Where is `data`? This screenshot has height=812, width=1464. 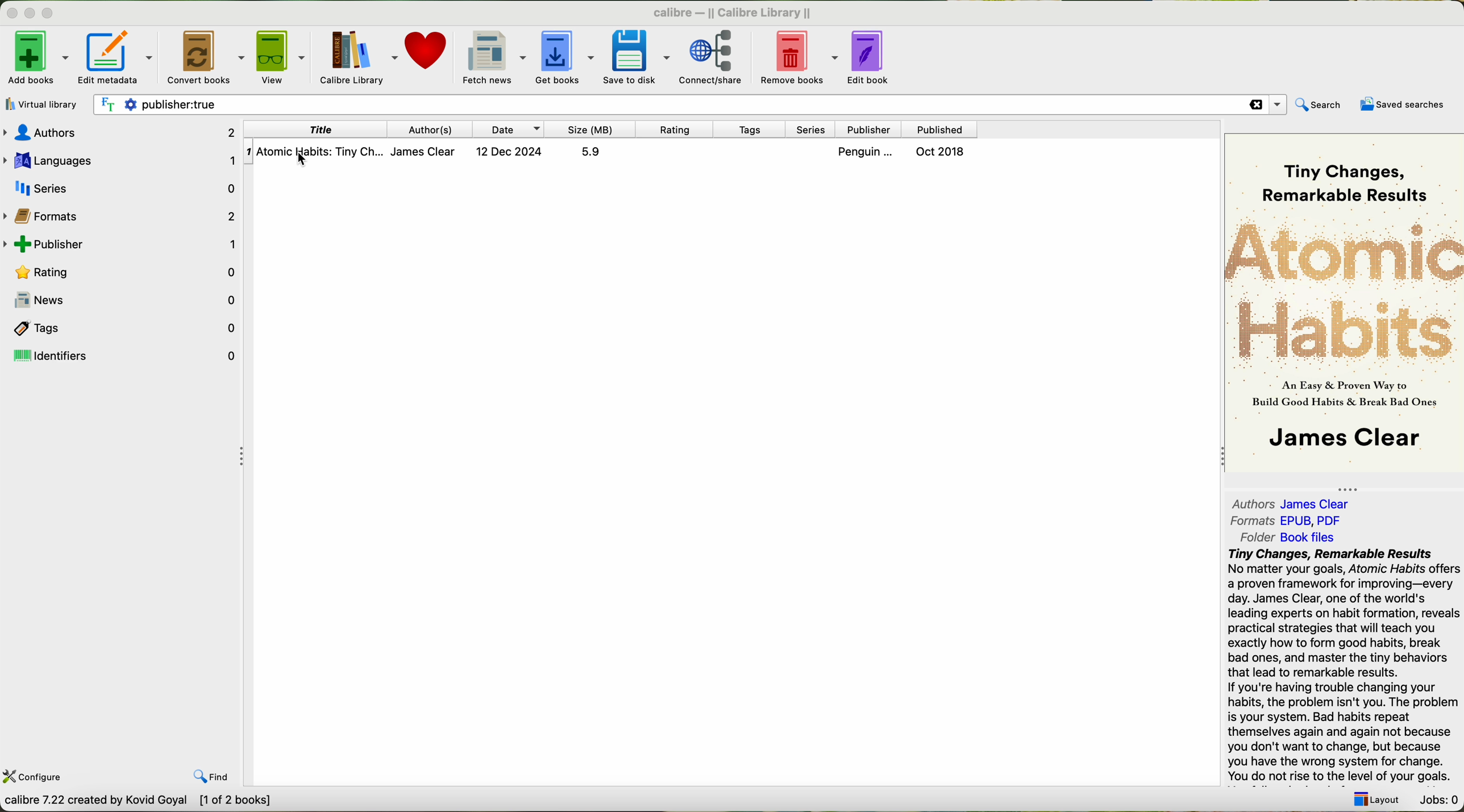 data is located at coordinates (139, 802).